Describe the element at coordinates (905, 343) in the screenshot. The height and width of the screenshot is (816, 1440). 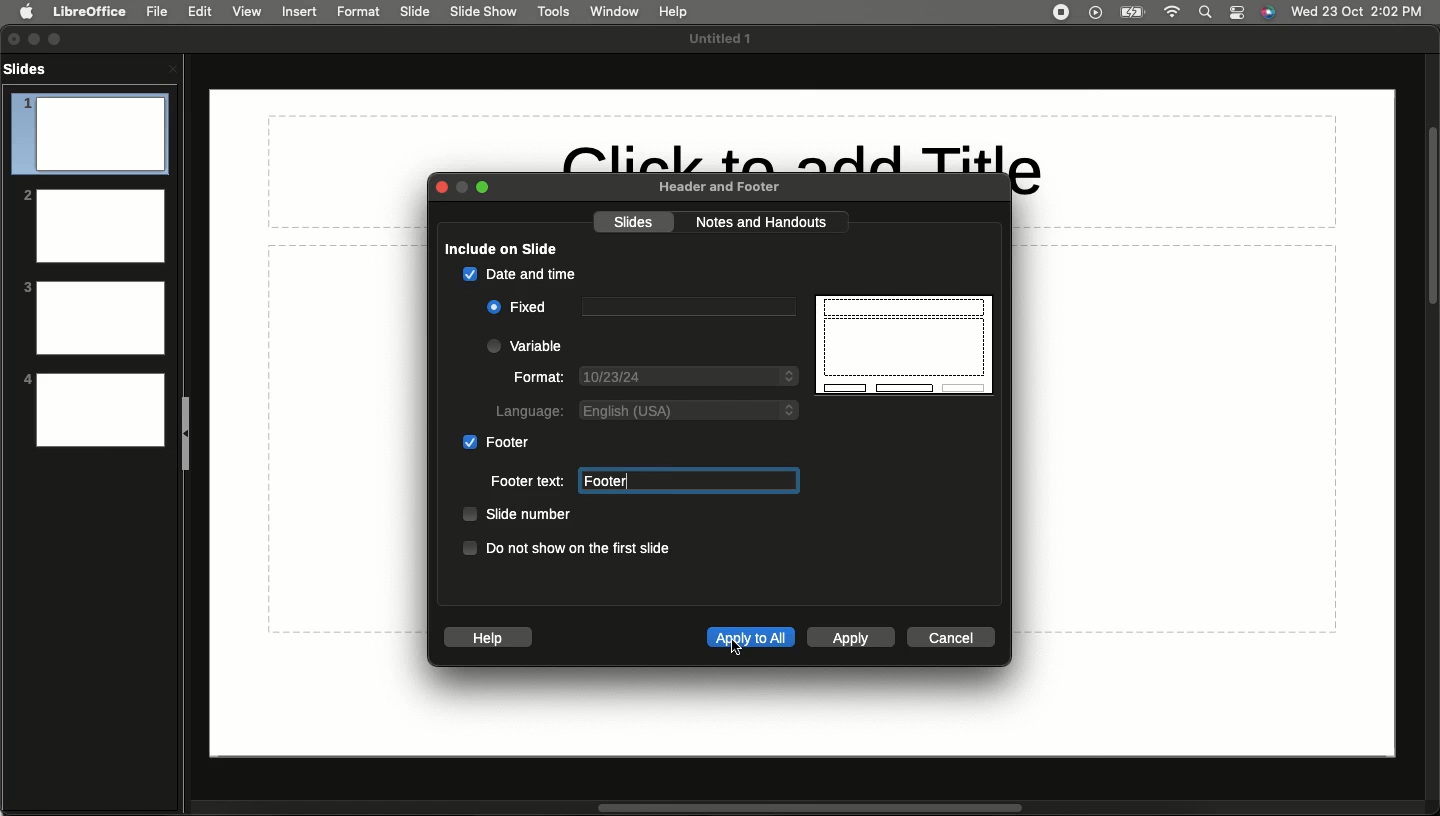
I see `Display` at that location.